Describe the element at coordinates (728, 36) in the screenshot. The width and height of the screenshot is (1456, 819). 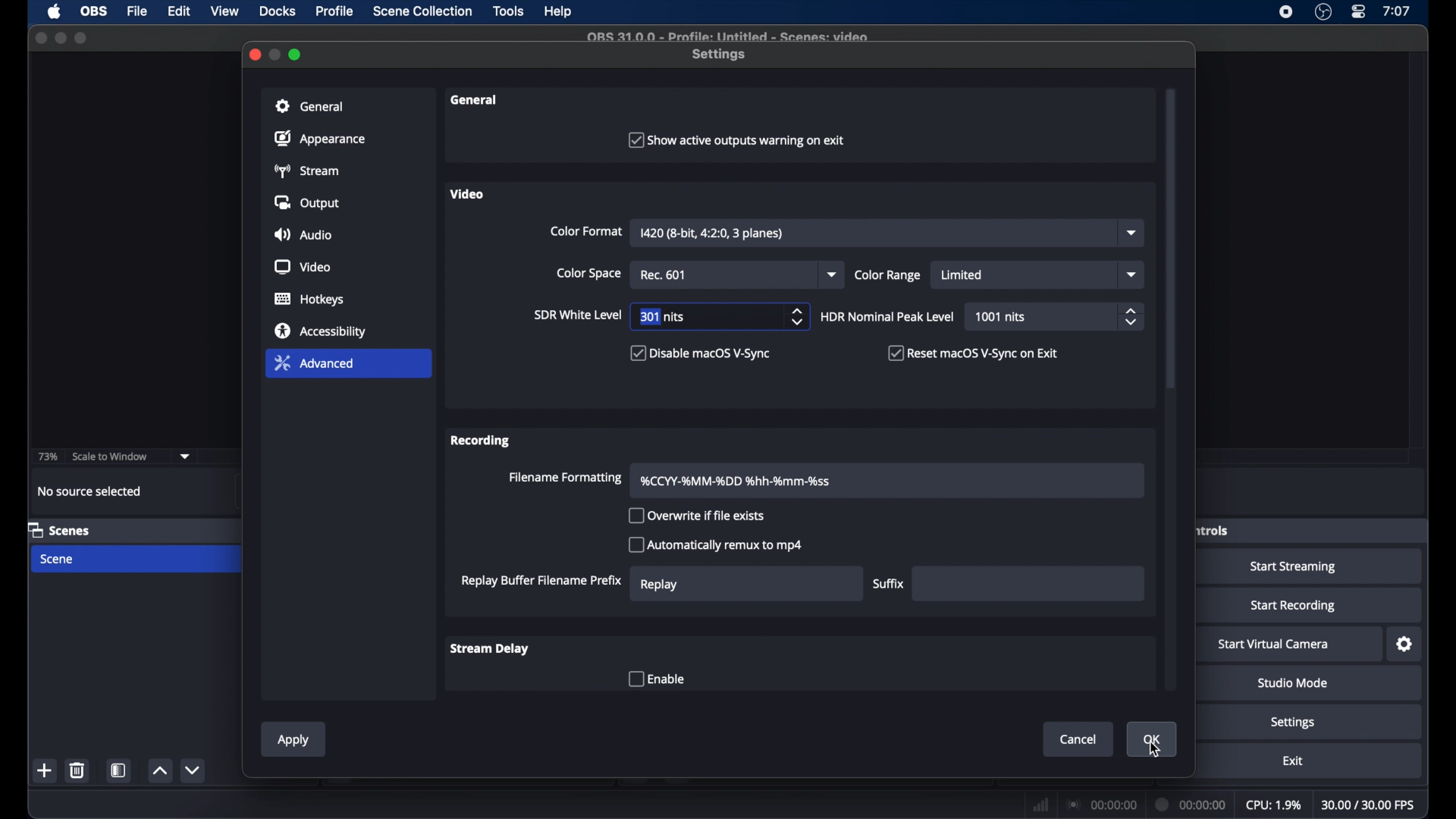
I see `file name` at that location.